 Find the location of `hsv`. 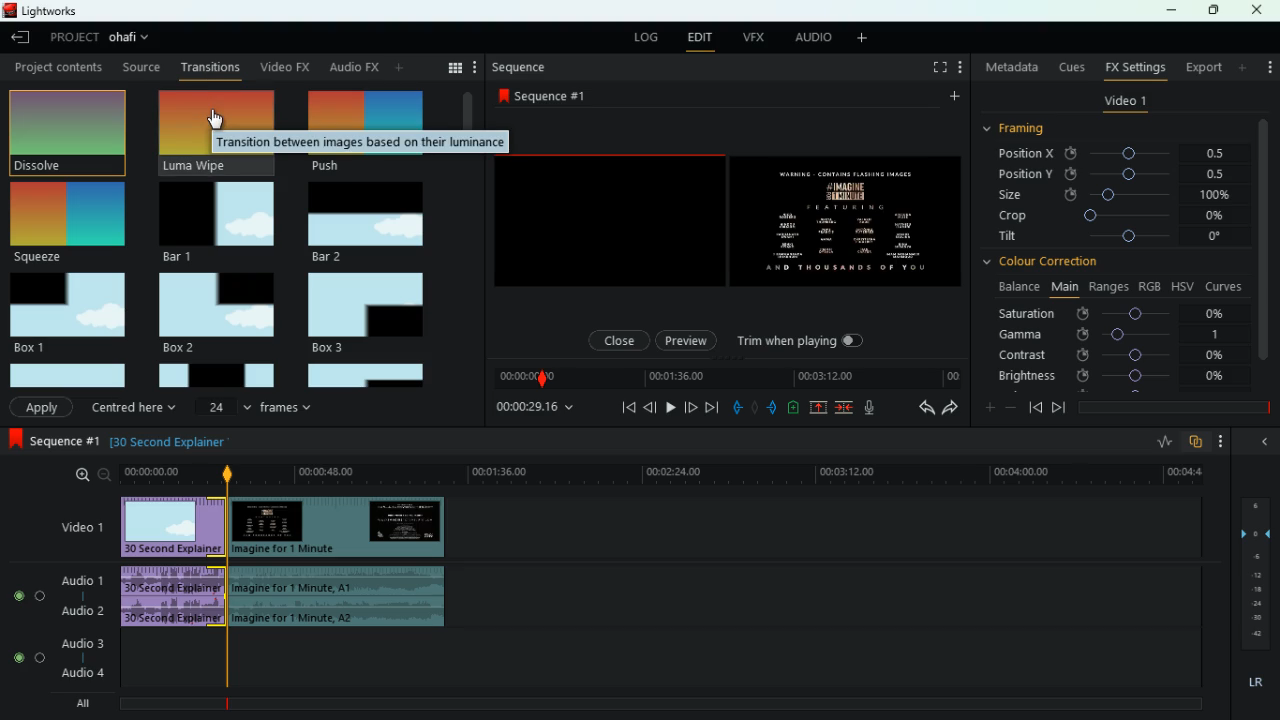

hsv is located at coordinates (1181, 285).